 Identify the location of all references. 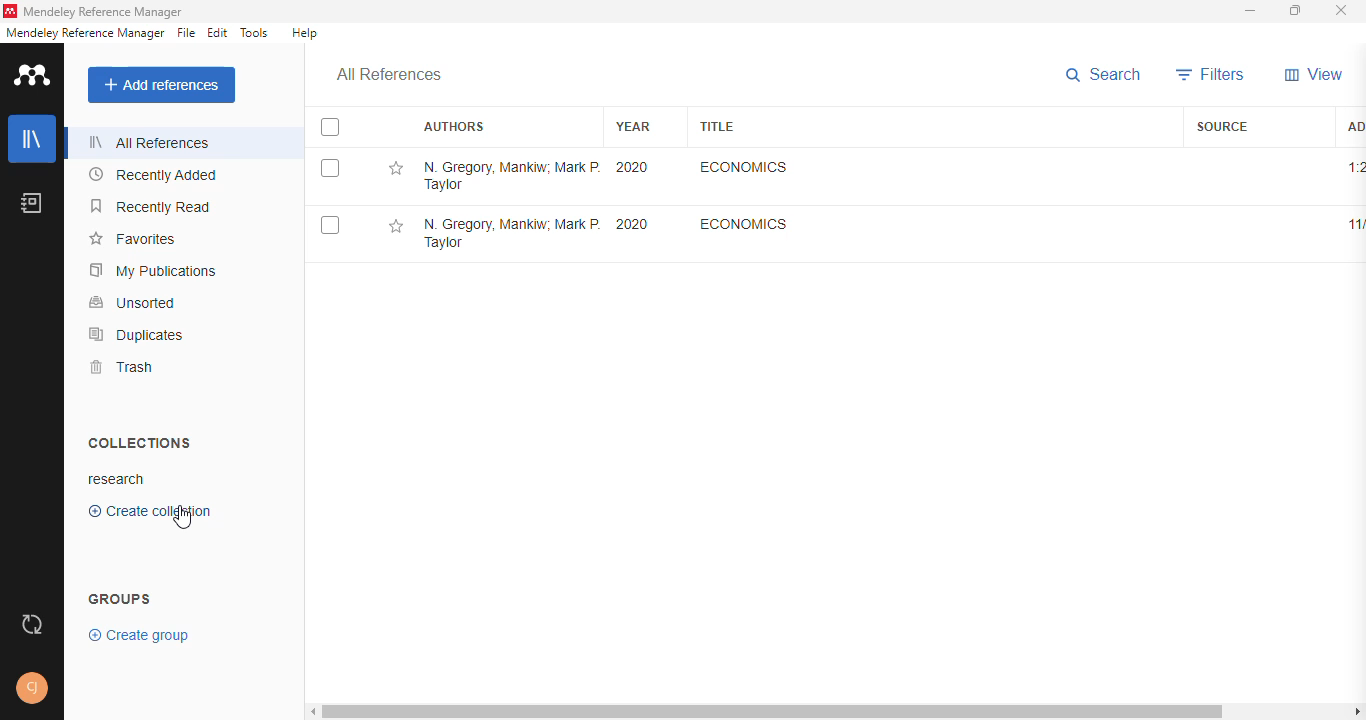
(149, 142).